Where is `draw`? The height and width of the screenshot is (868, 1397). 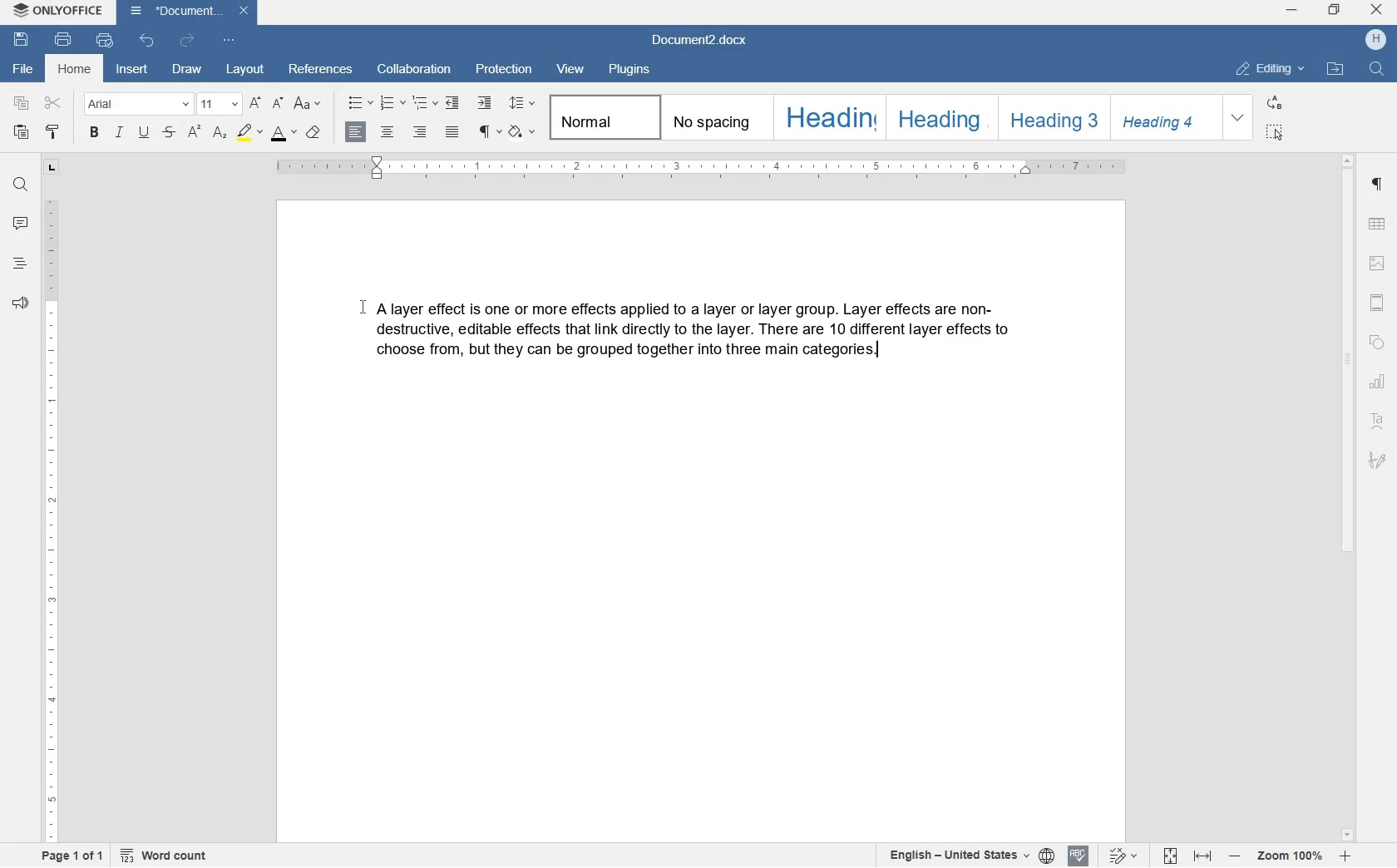 draw is located at coordinates (187, 70).